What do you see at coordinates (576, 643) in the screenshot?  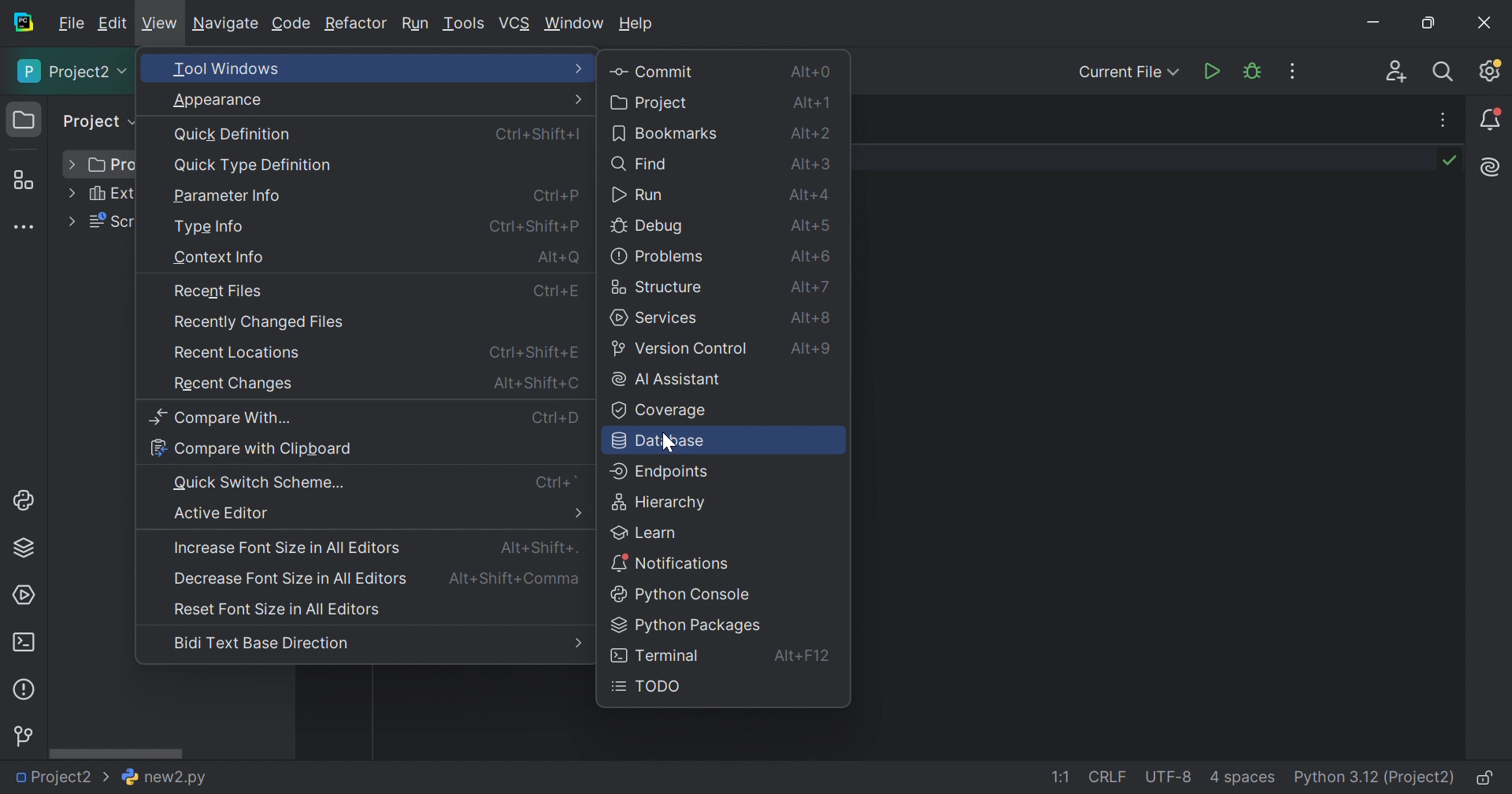 I see `More` at bounding box center [576, 643].